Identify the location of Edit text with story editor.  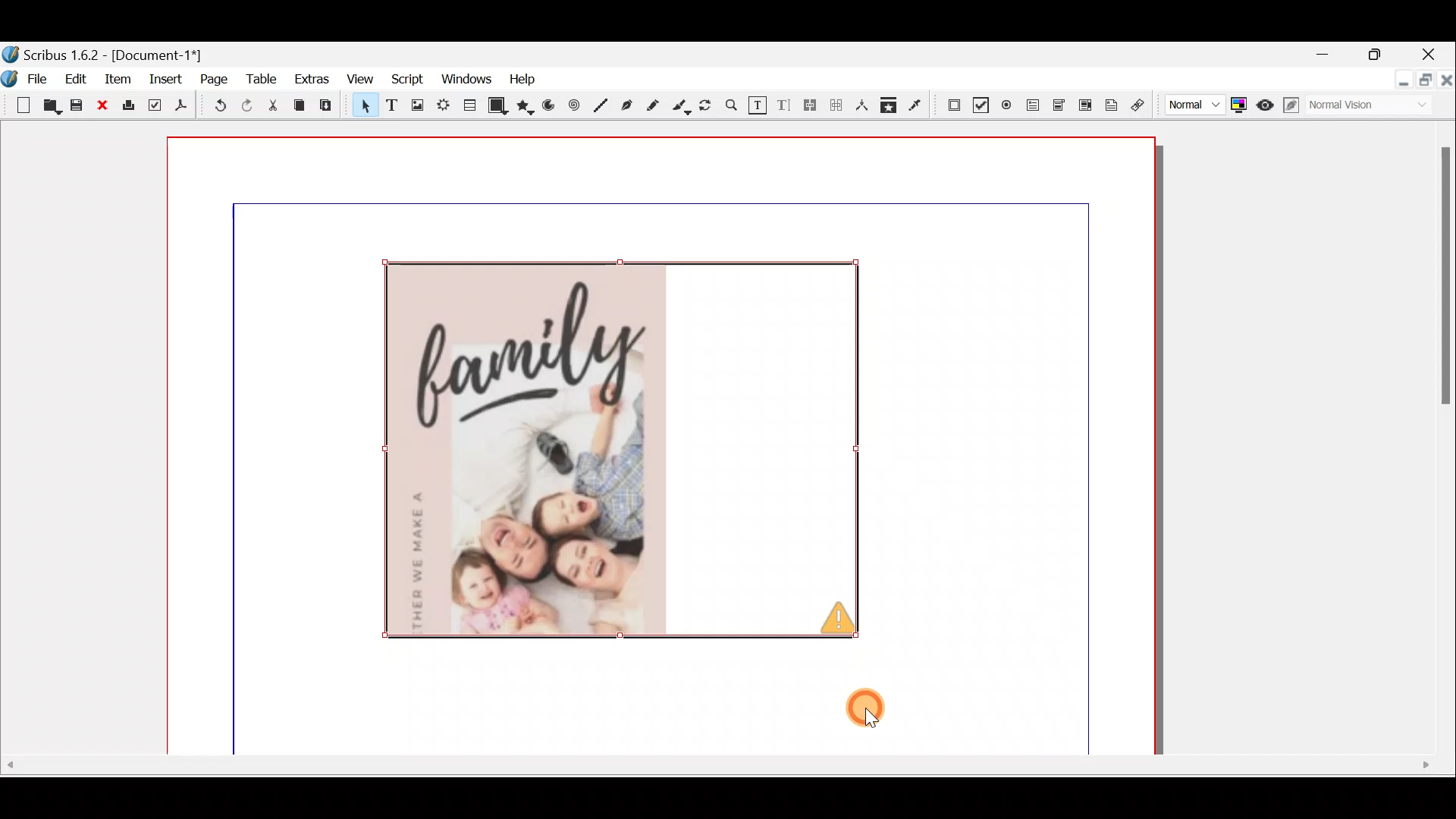
(785, 104).